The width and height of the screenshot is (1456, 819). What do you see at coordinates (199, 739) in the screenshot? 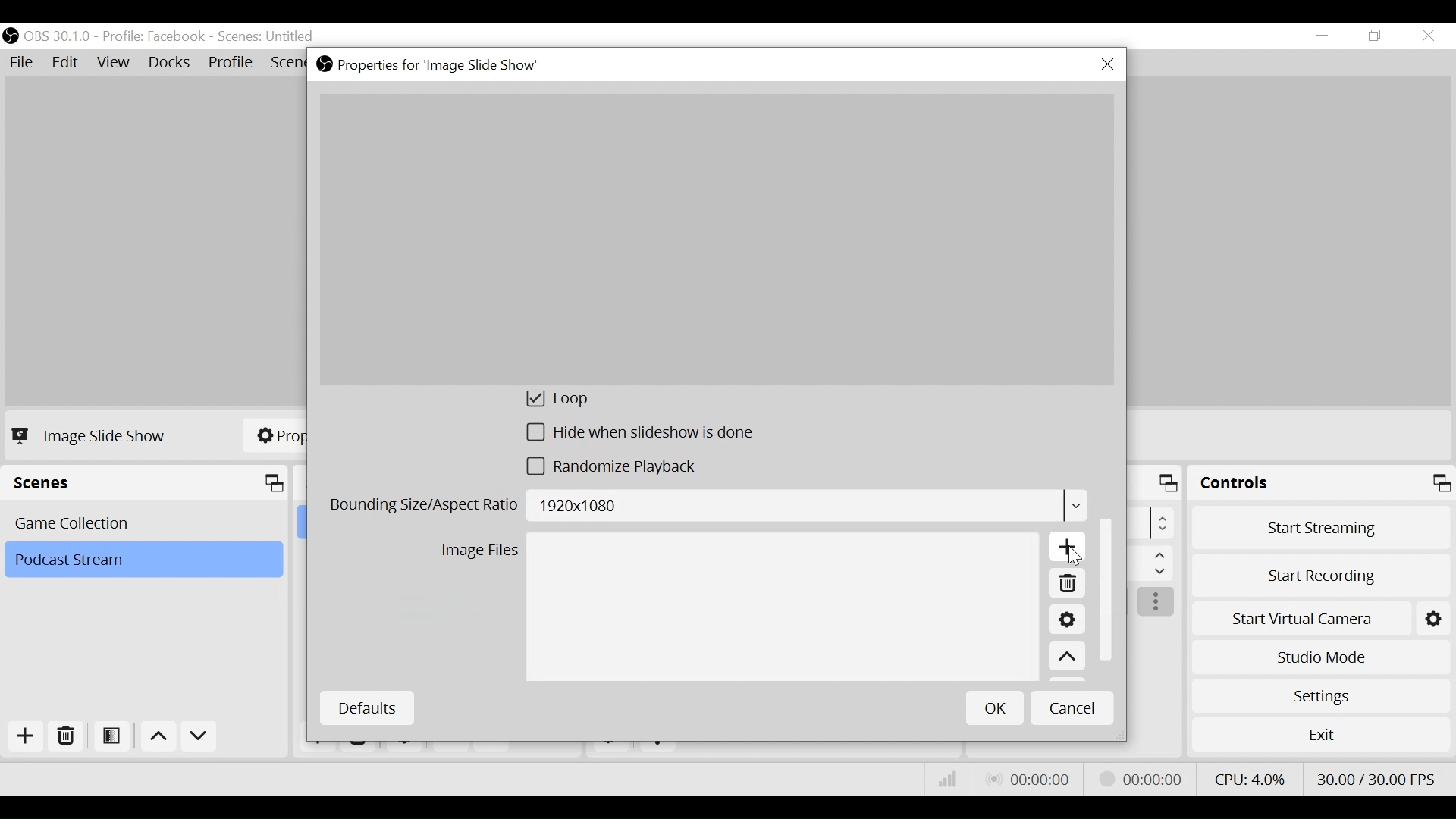
I see `Move Down` at bounding box center [199, 739].